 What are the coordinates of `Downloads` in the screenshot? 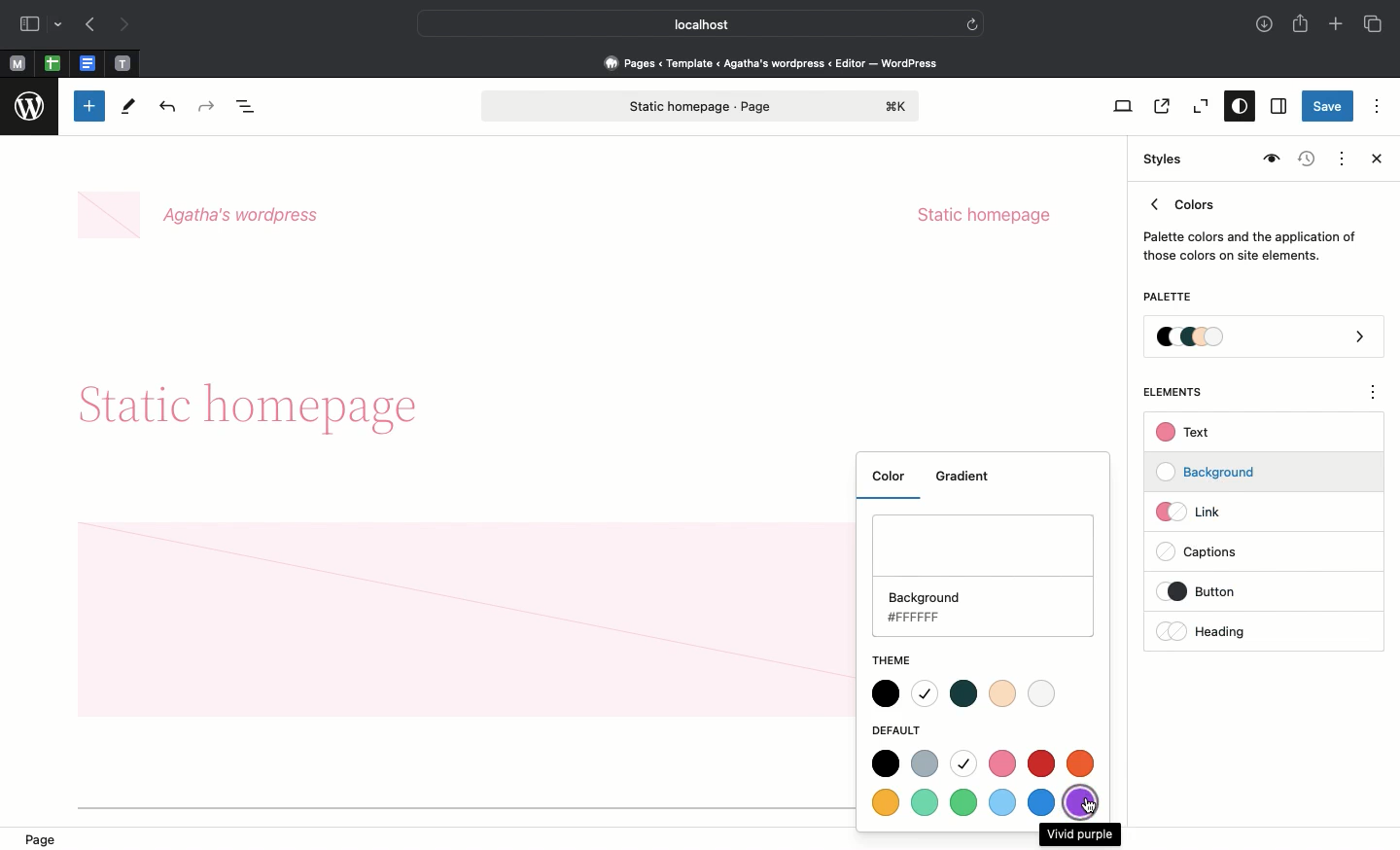 It's located at (1266, 26).